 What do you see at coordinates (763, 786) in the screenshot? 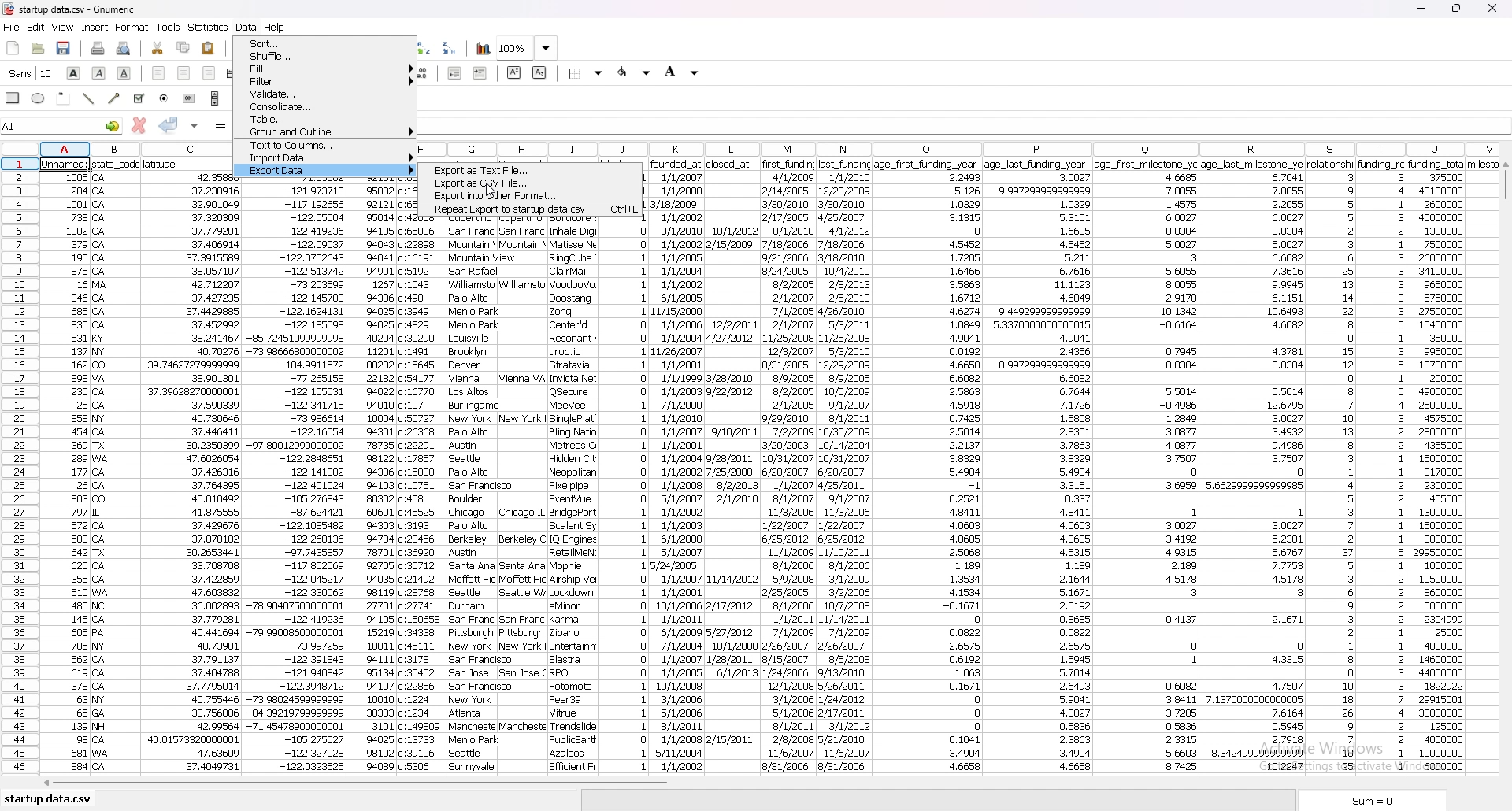
I see `scroll bar` at bounding box center [763, 786].